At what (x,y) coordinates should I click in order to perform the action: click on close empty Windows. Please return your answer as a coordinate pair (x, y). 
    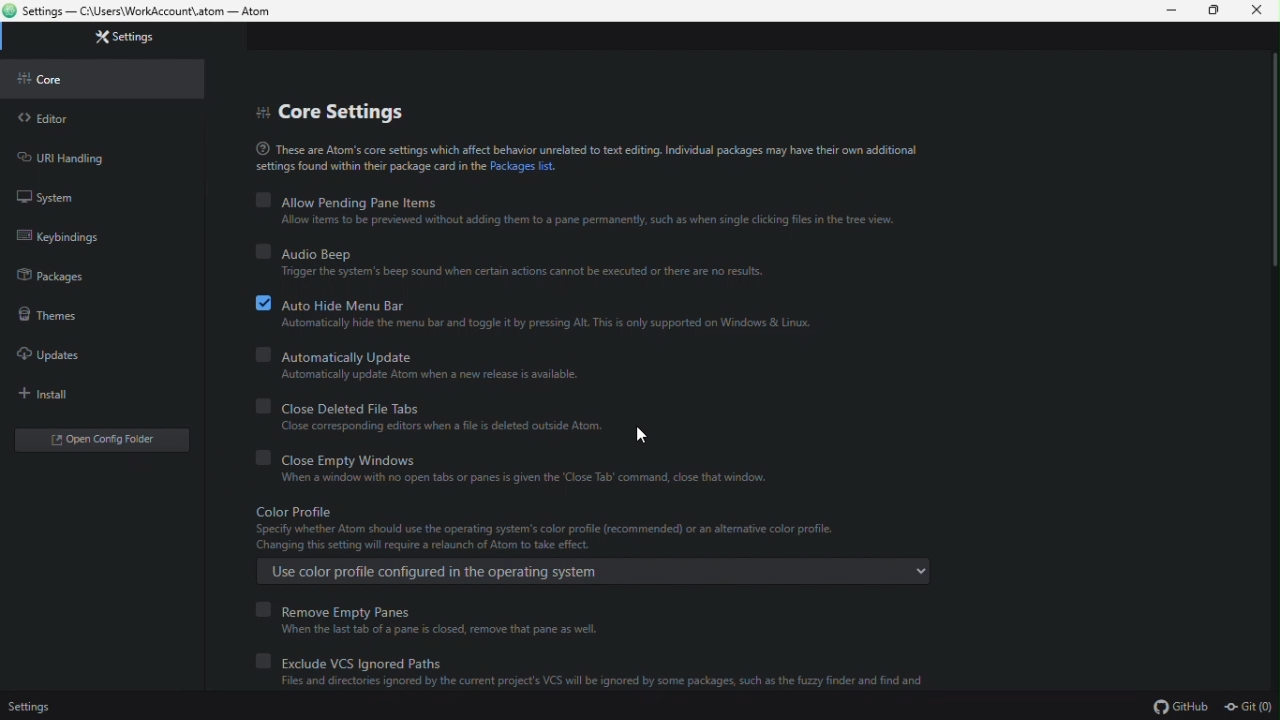
    Looking at the image, I should click on (511, 466).